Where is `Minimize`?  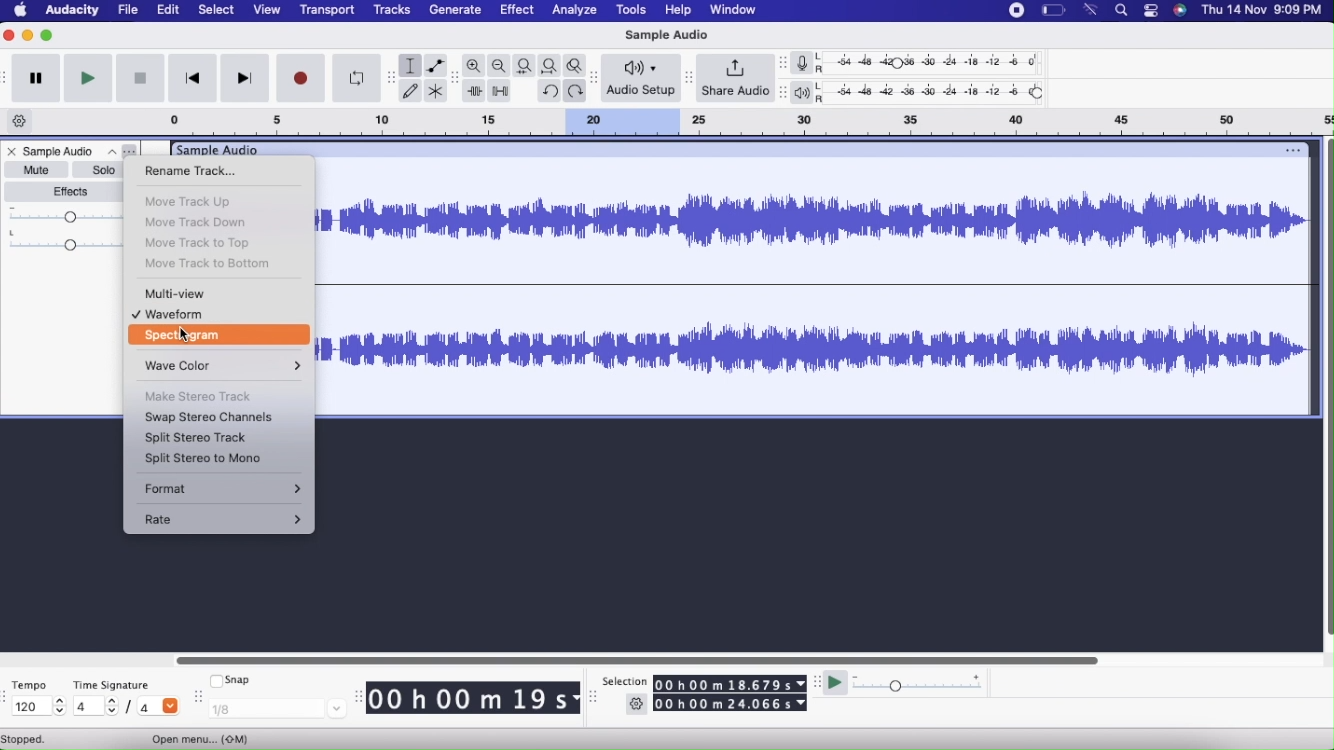
Minimize is located at coordinates (29, 36).